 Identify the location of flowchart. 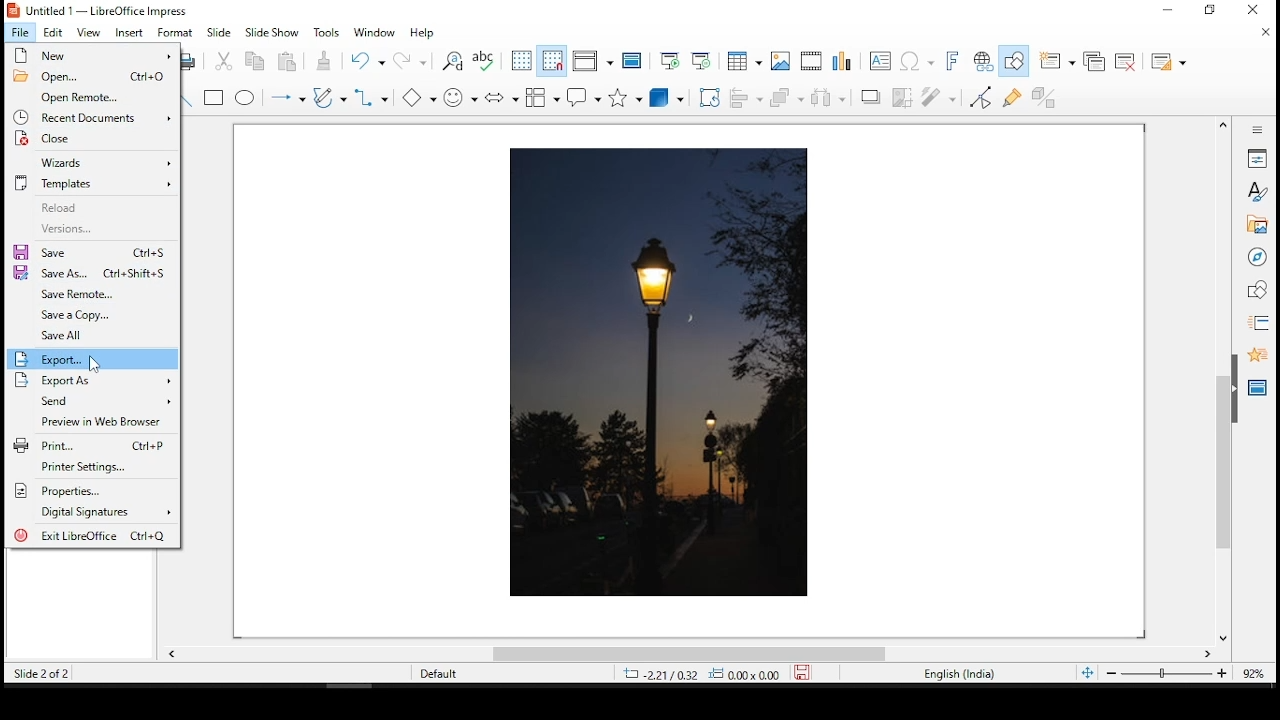
(543, 97).